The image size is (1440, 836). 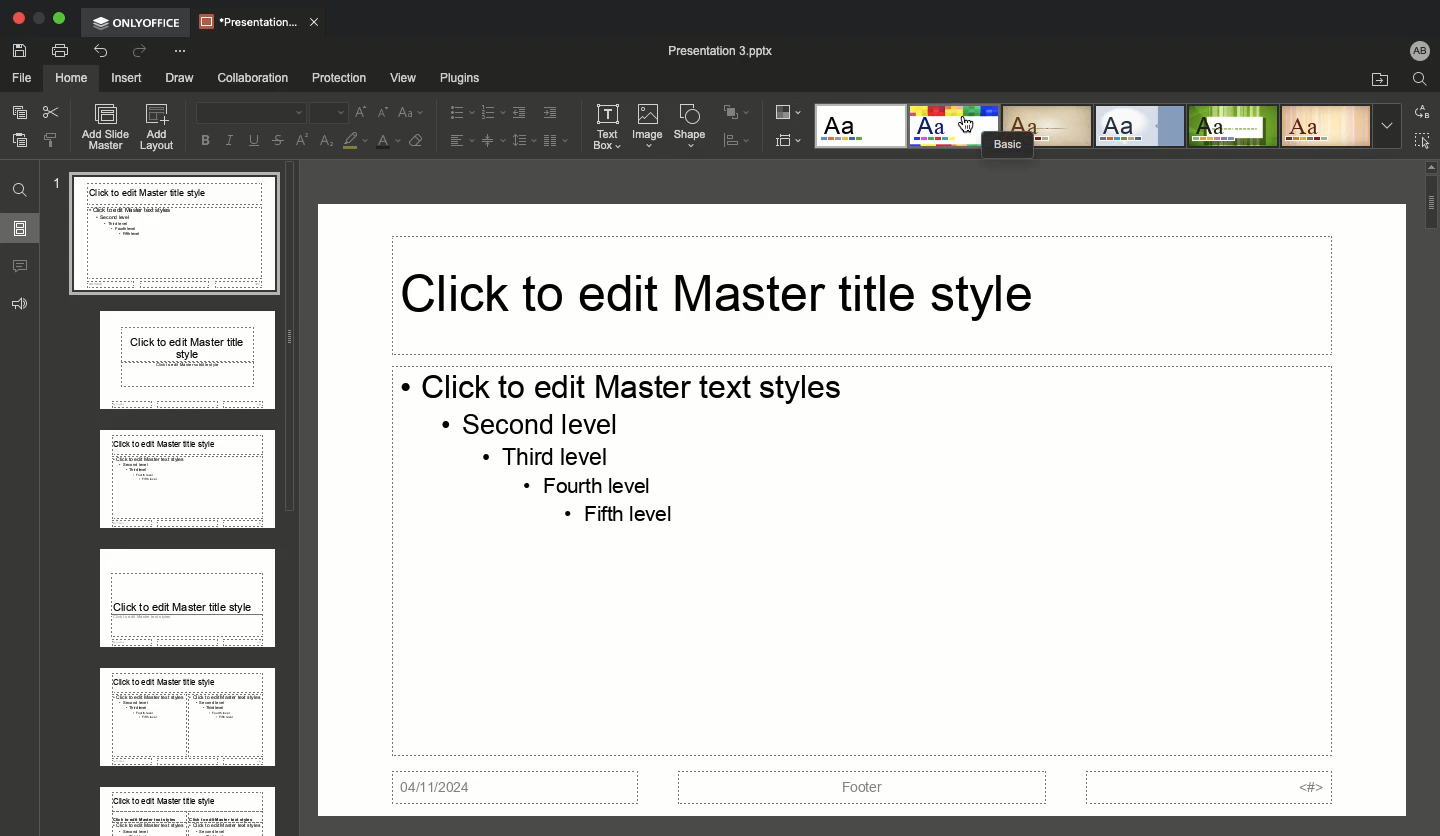 I want to click on Paste, so click(x=21, y=142).